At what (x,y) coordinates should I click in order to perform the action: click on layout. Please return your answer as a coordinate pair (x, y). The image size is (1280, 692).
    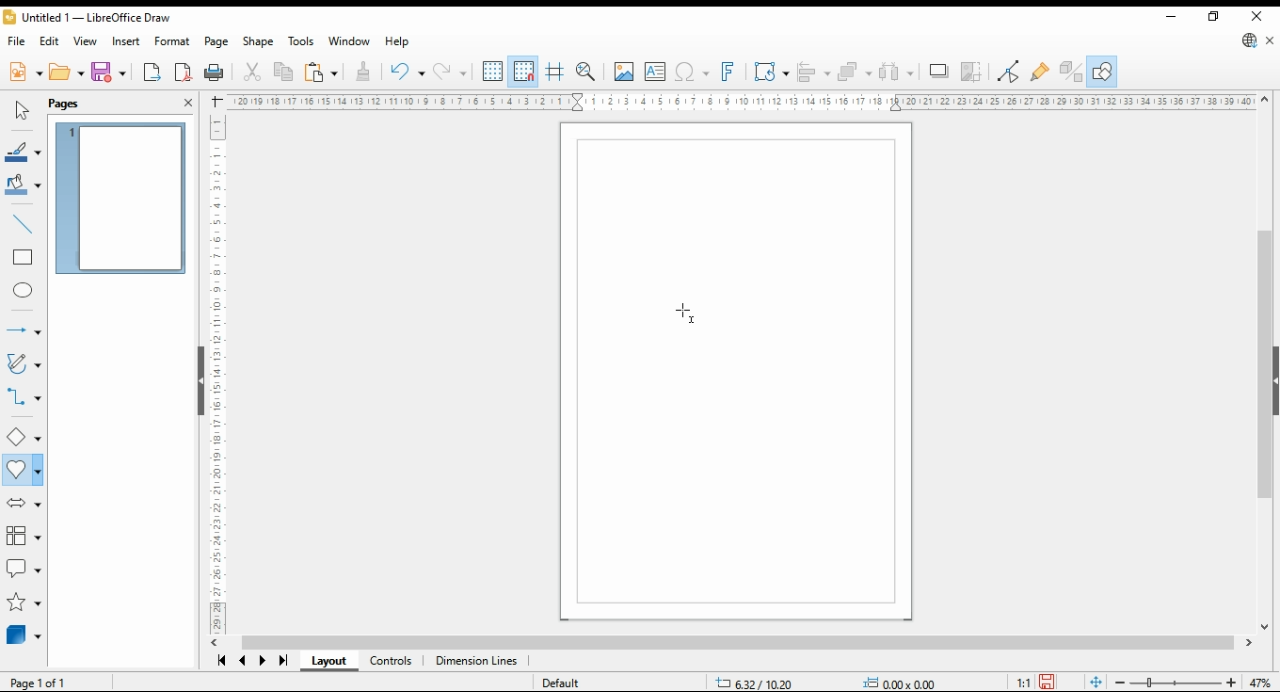
    Looking at the image, I should click on (326, 662).